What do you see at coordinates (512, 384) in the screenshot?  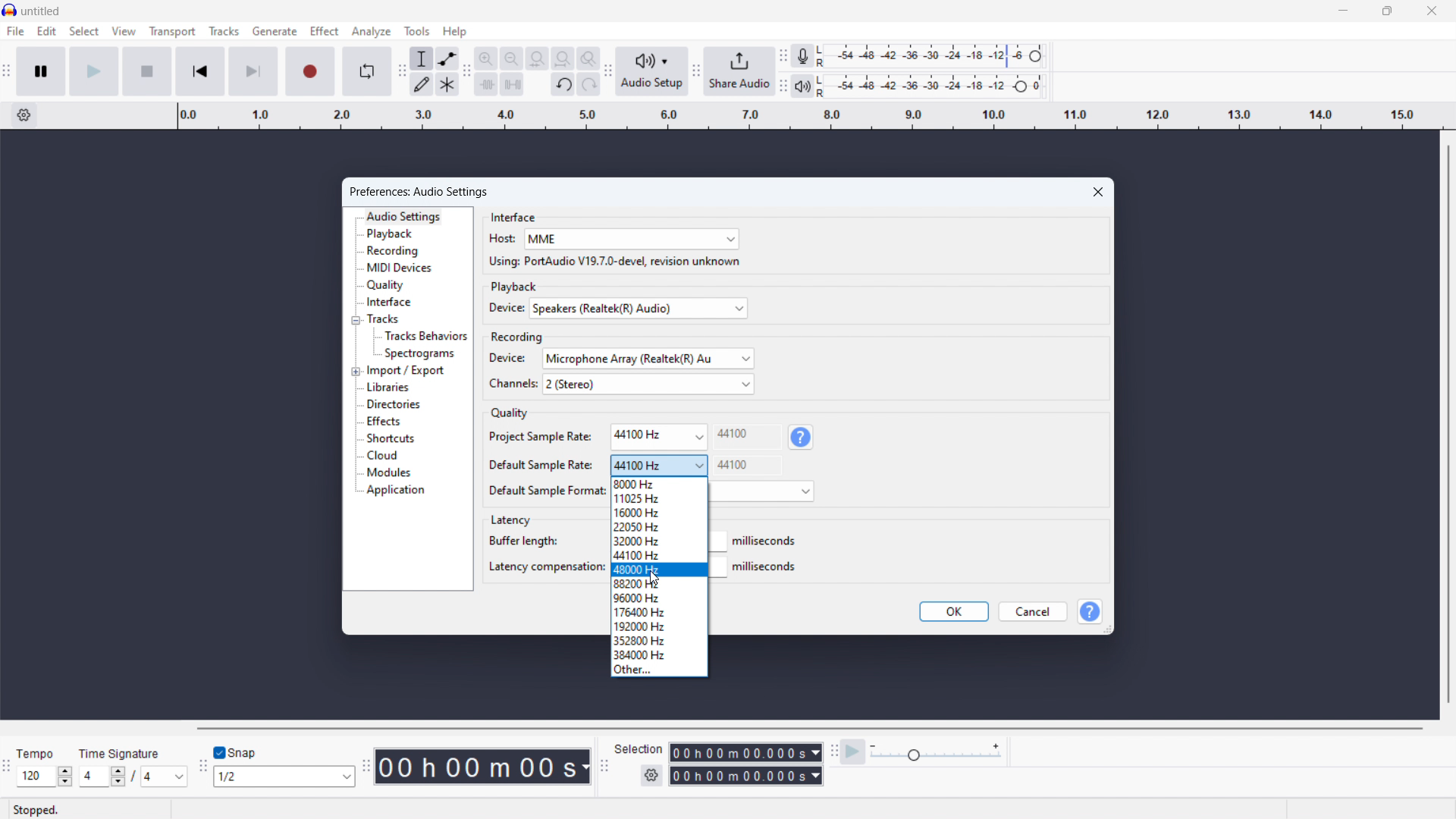 I see `Channels ` at bounding box center [512, 384].